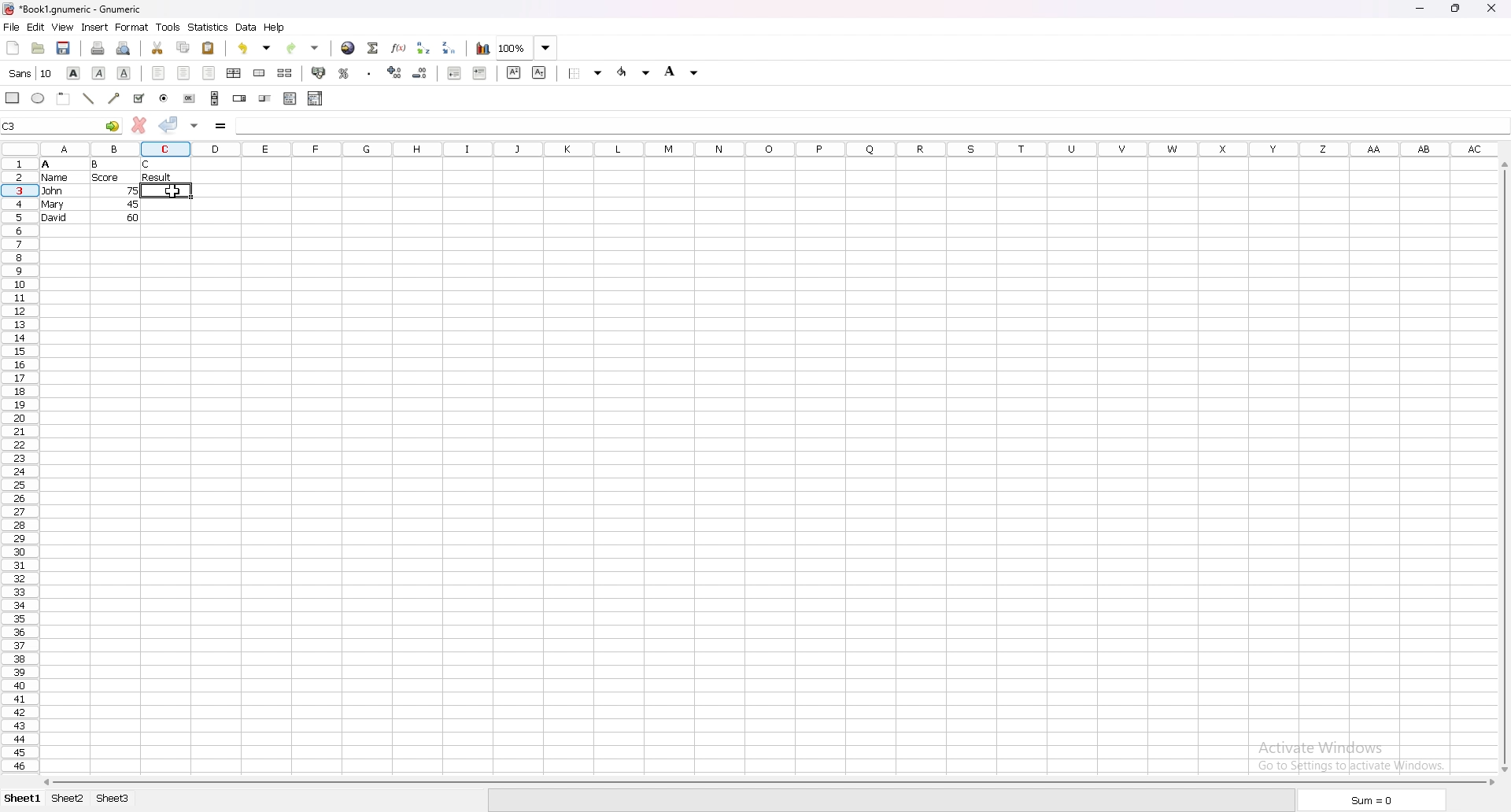 The image size is (1511, 812). I want to click on split merged cell, so click(286, 73).